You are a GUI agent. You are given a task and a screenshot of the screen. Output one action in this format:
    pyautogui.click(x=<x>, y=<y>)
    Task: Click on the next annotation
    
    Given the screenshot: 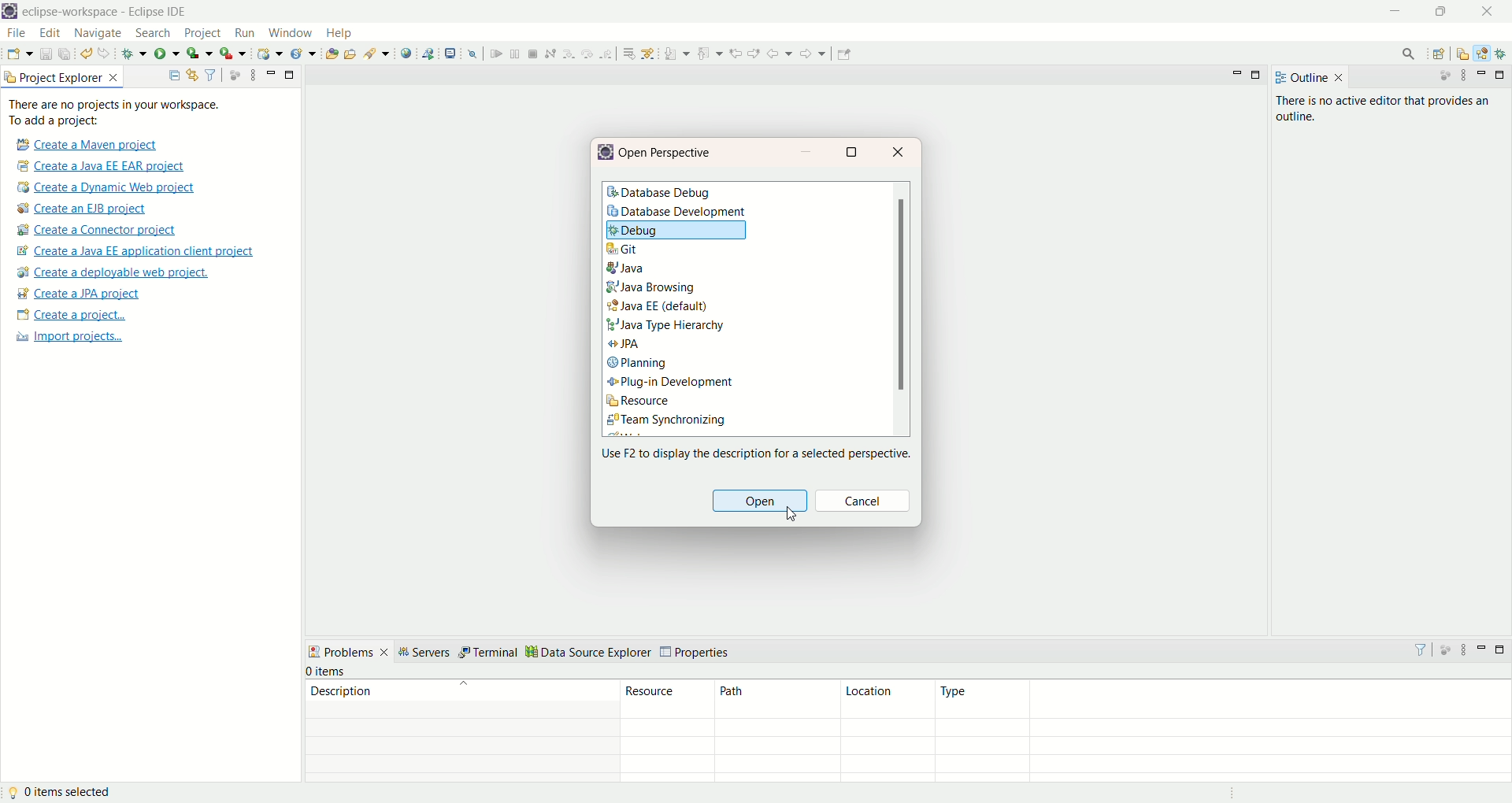 What is the action you would take?
    pyautogui.click(x=675, y=53)
    